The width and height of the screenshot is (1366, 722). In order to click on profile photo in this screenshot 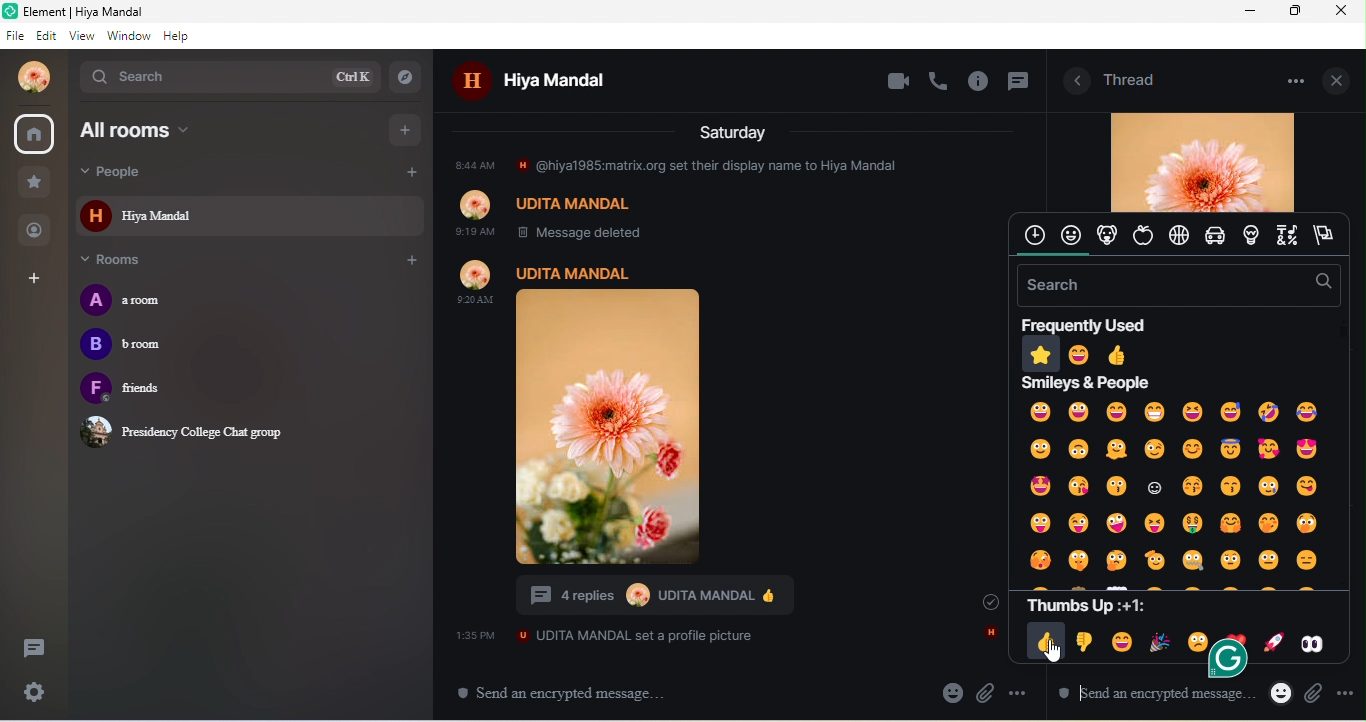, I will do `click(28, 77)`.